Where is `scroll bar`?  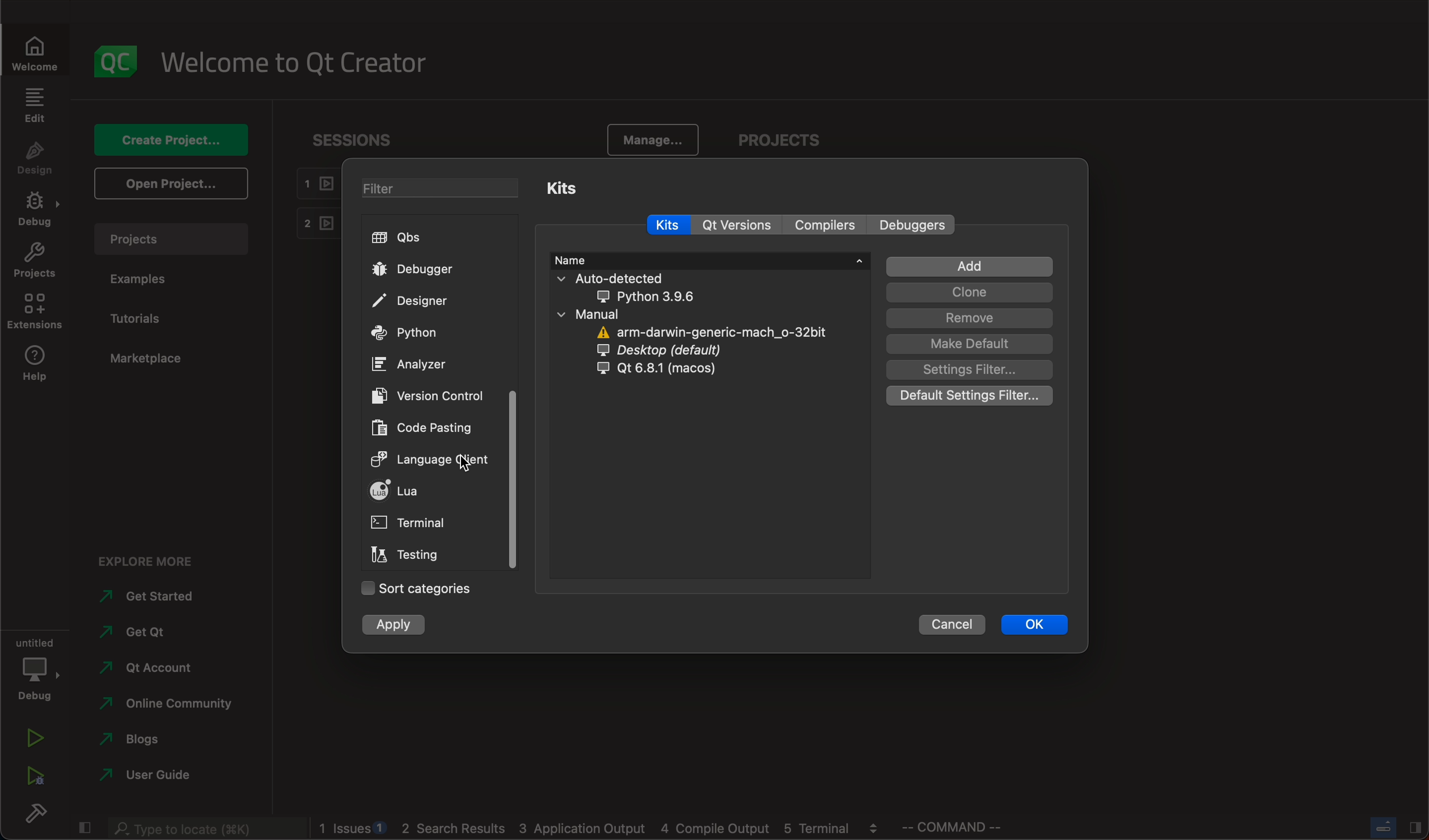 scroll bar is located at coordinates (514, 479).